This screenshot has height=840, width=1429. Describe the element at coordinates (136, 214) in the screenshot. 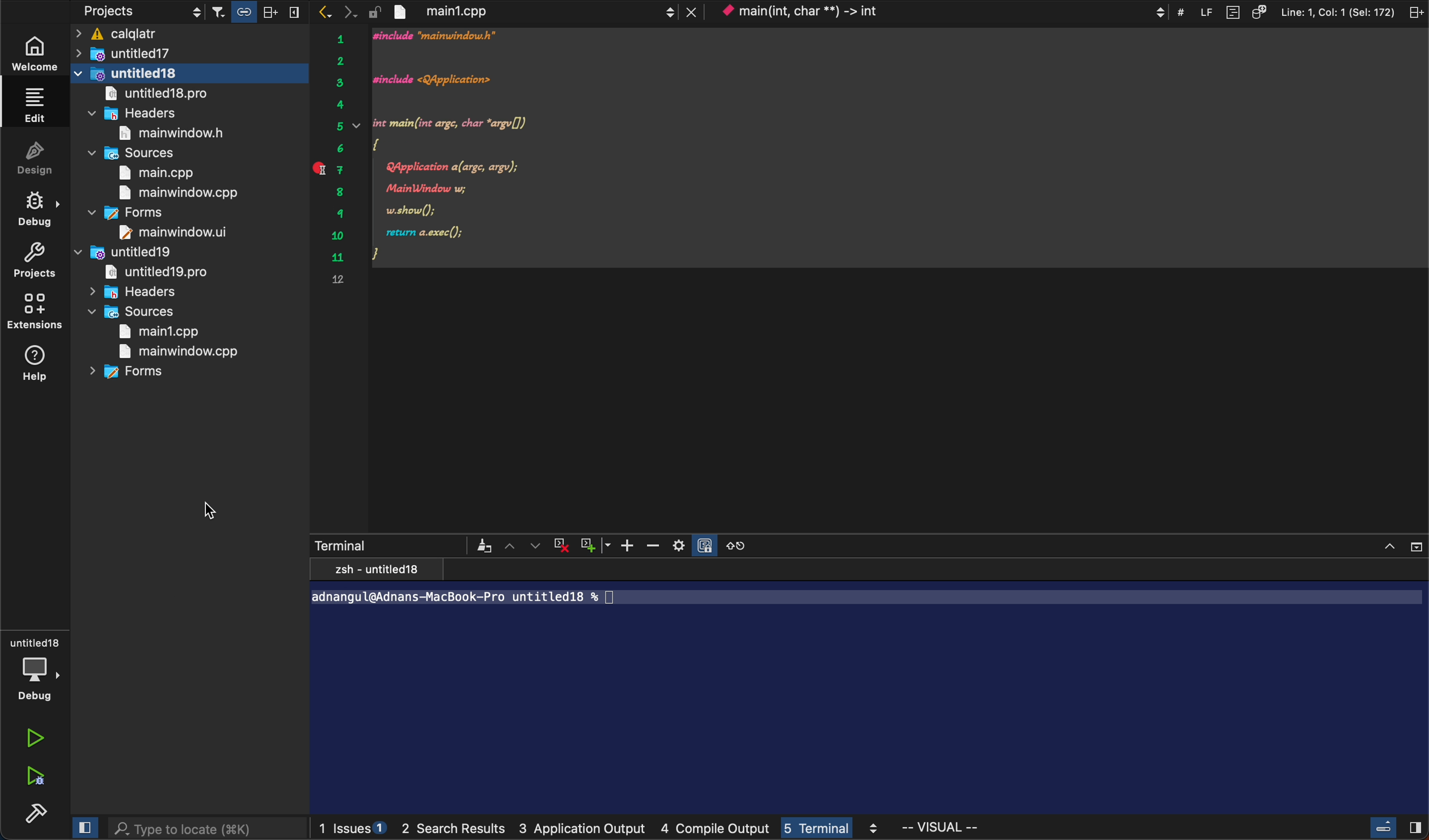

I see `forms` at that location.